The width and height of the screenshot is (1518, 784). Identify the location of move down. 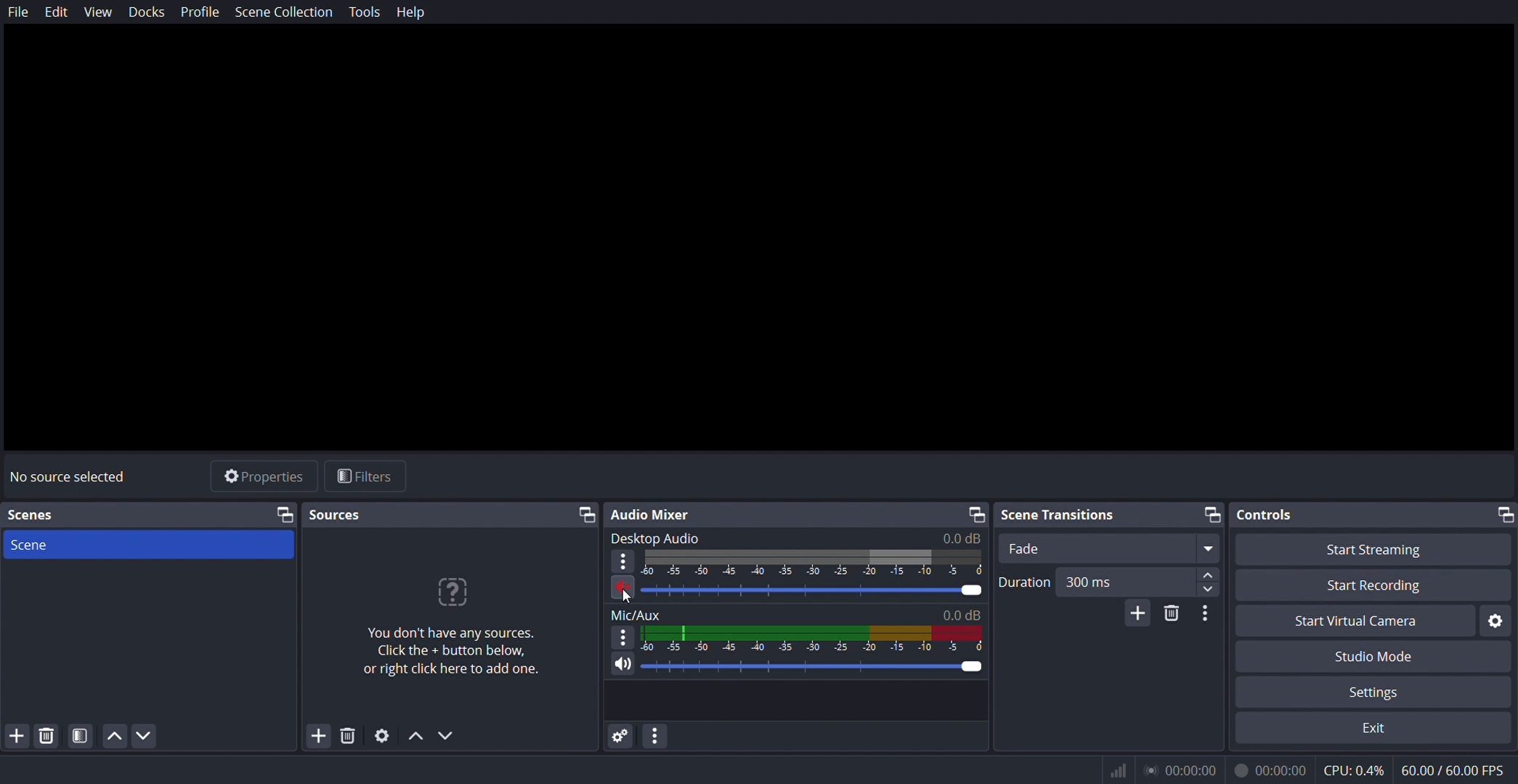
(447, 734).